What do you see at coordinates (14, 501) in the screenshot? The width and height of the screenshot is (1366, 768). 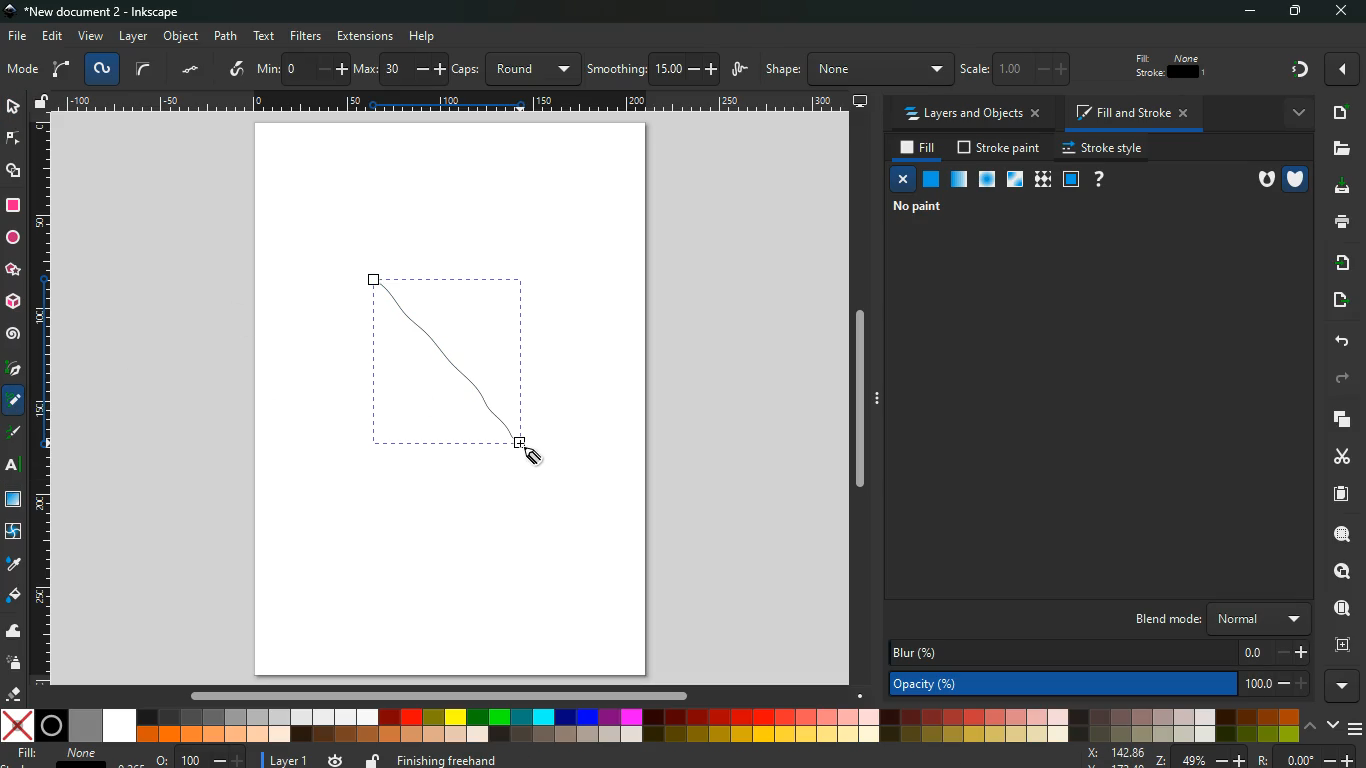 I see `window` at bounding box center [14, 501].